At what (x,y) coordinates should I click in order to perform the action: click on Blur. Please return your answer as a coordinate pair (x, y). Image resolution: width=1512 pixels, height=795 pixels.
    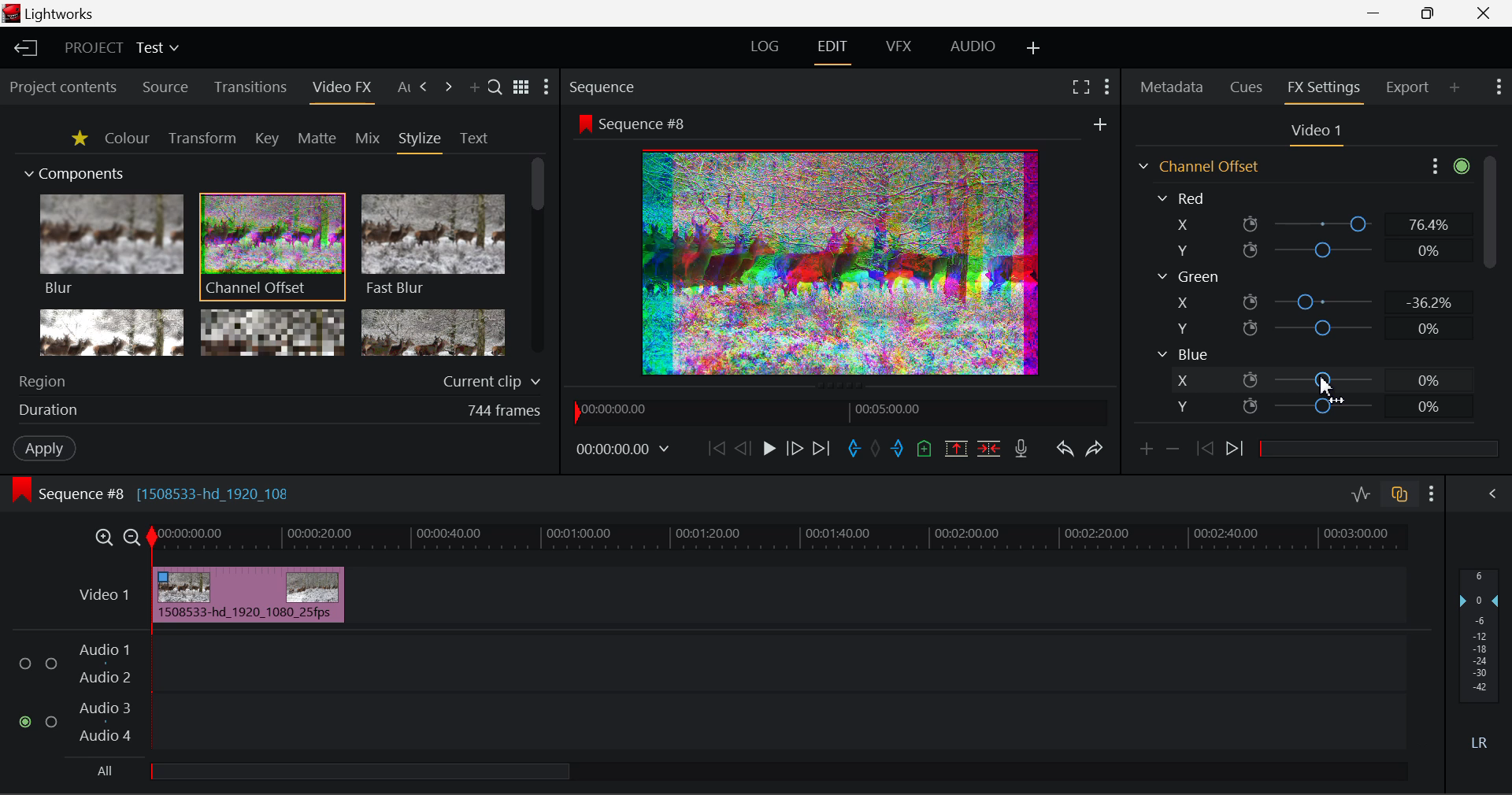
    Looking at the image, I should click on (110, 246).